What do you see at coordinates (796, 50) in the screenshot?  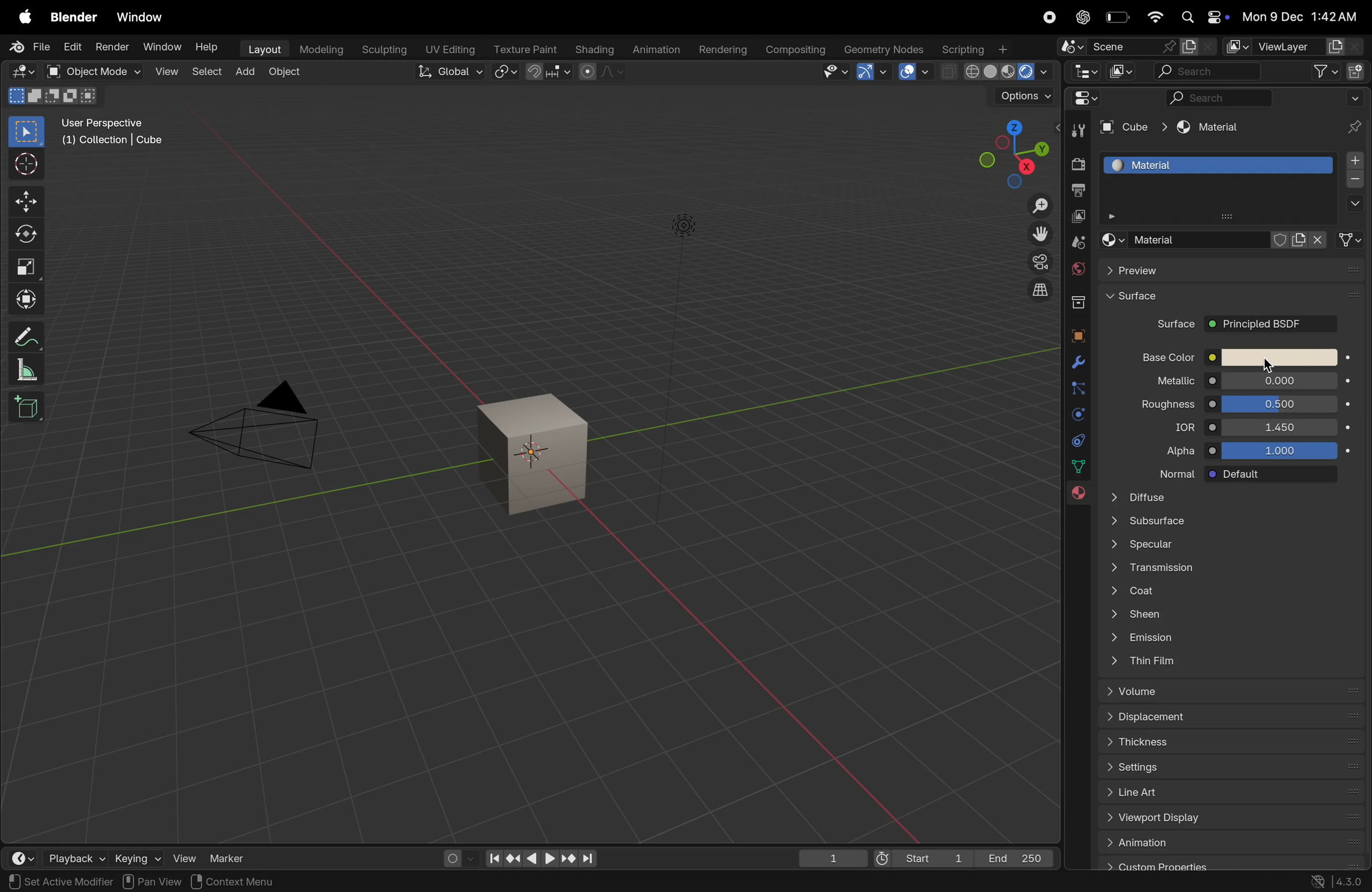 I see `composting` at bounding box center [796, 50].